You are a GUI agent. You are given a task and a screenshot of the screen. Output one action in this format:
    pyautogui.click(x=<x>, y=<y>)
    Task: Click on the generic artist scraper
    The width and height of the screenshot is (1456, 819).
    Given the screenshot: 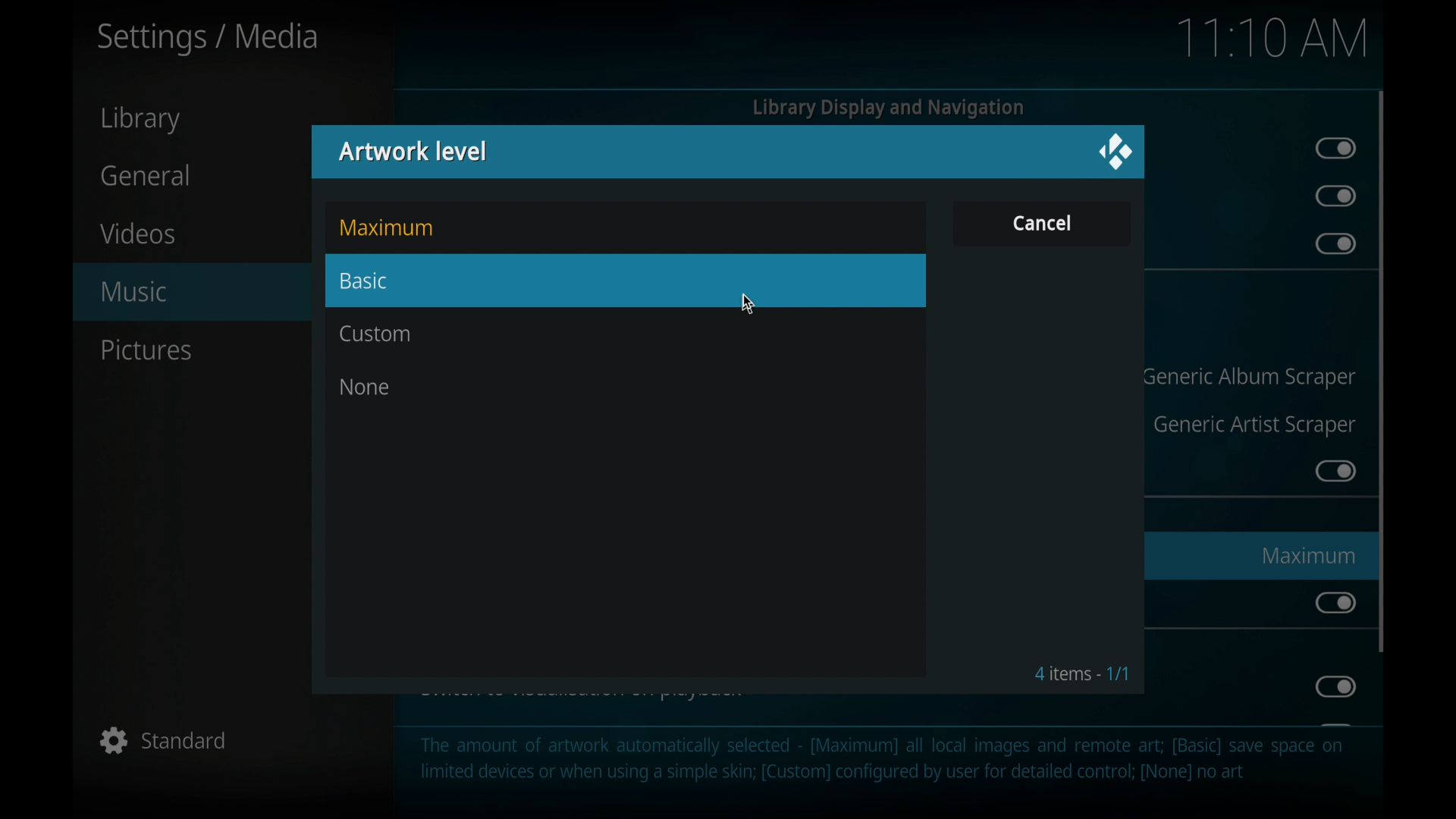 What is the action you would take?
    pyautogui.click(x=1254, y=426)
    